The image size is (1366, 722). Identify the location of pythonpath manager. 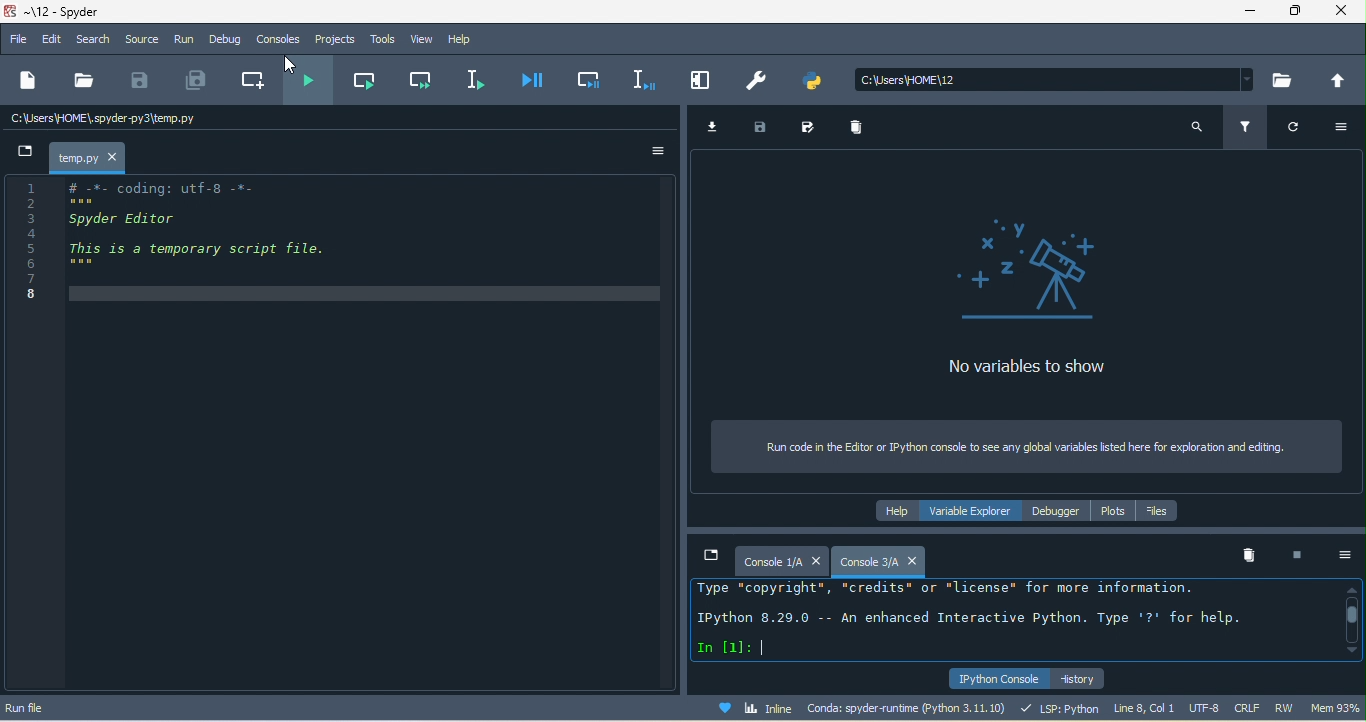
(819, 78).